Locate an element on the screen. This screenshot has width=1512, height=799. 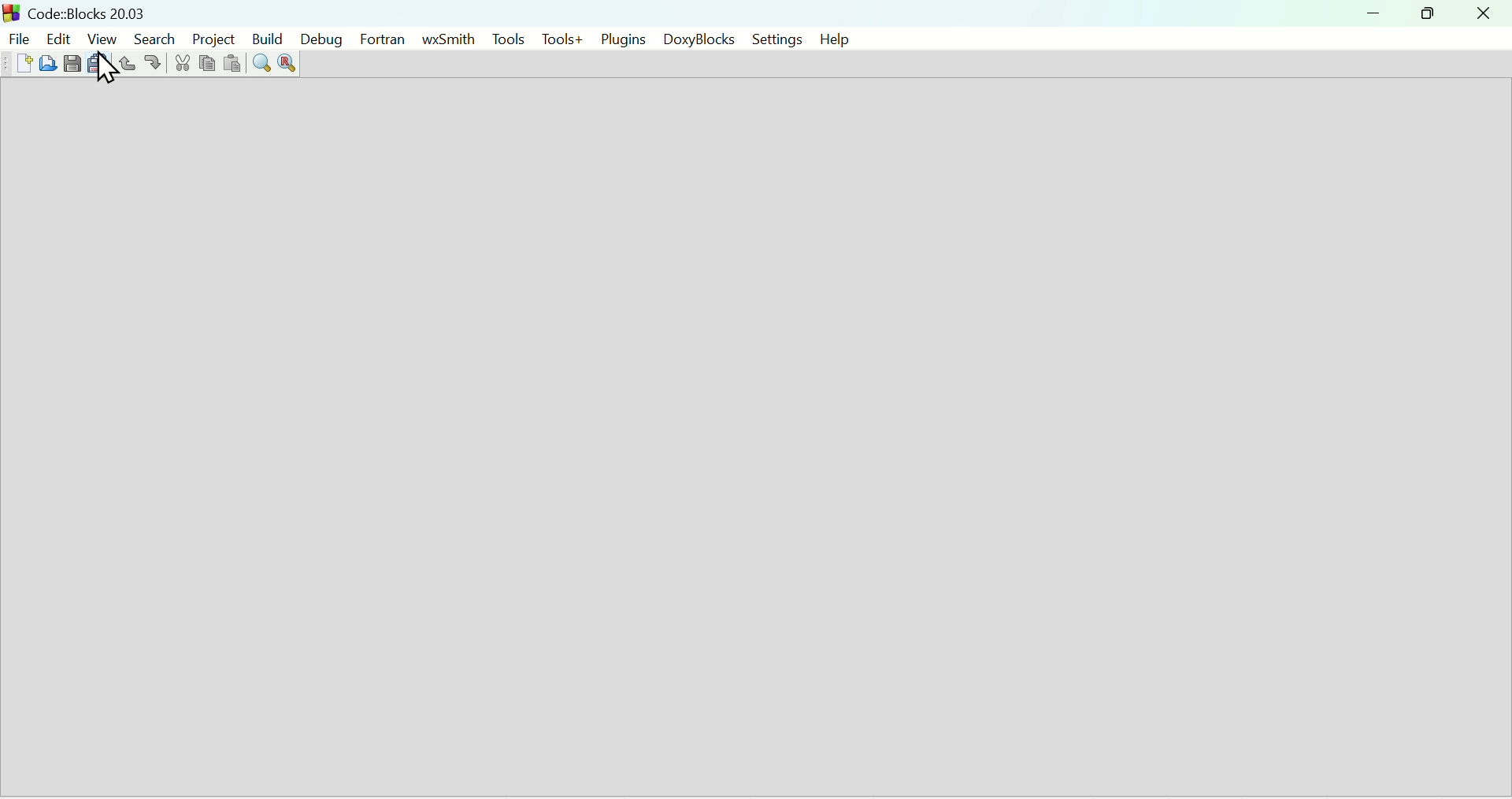
redo is located at coordinates (154, 64).